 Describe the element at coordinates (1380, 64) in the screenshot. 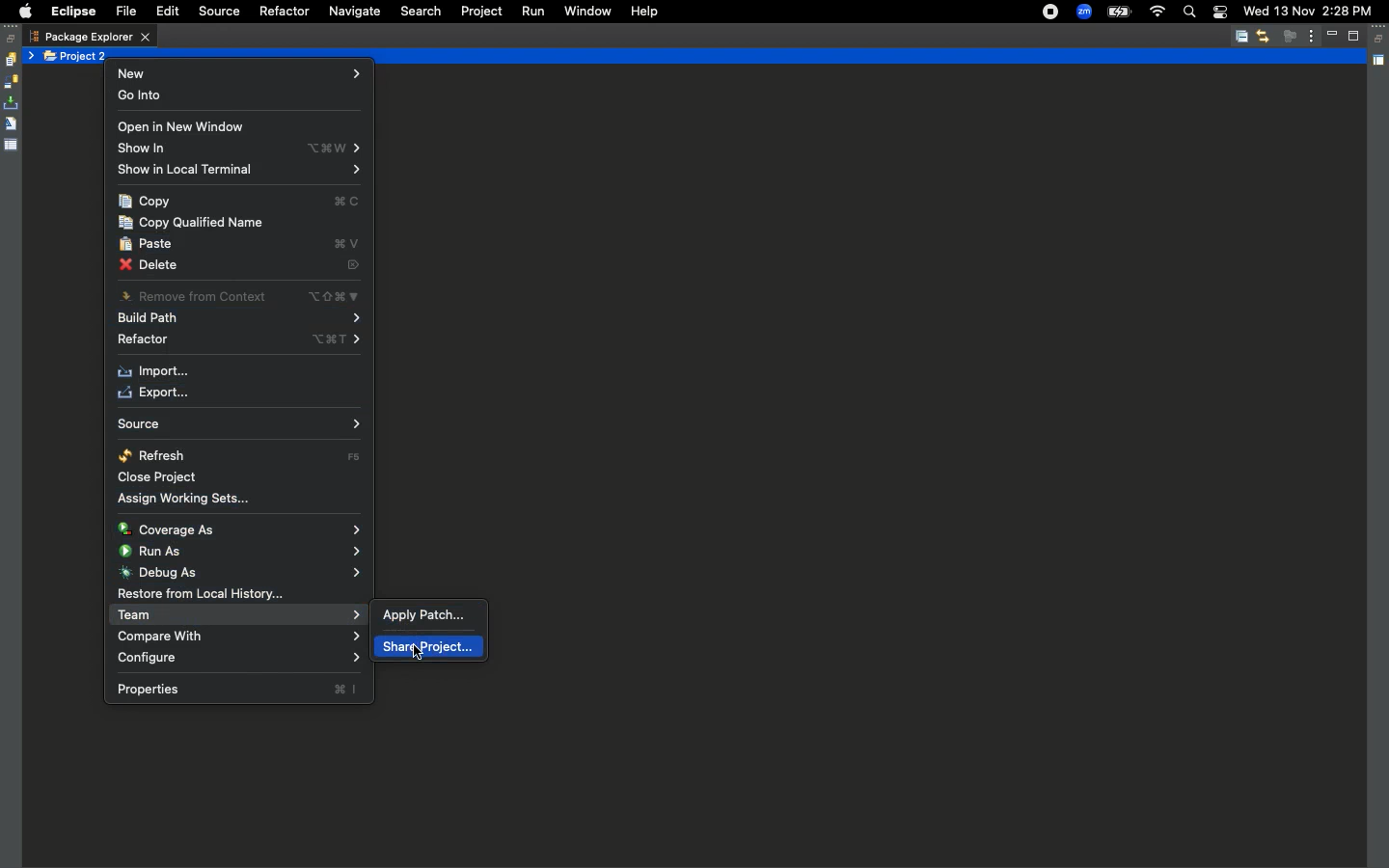

I see `Shared area` at that location.